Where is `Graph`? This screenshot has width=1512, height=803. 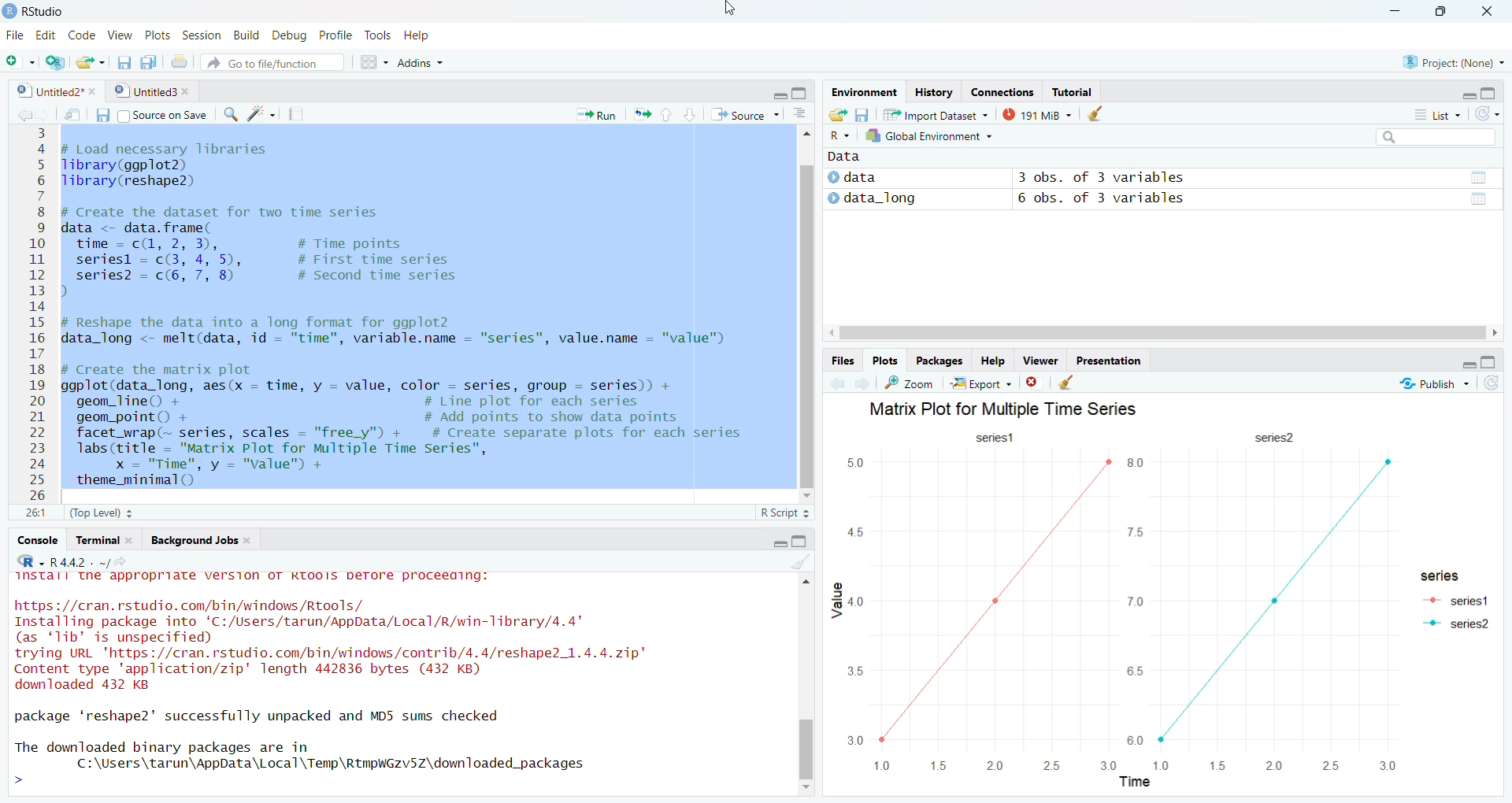
Graph is located at coordinates (1113, 627).